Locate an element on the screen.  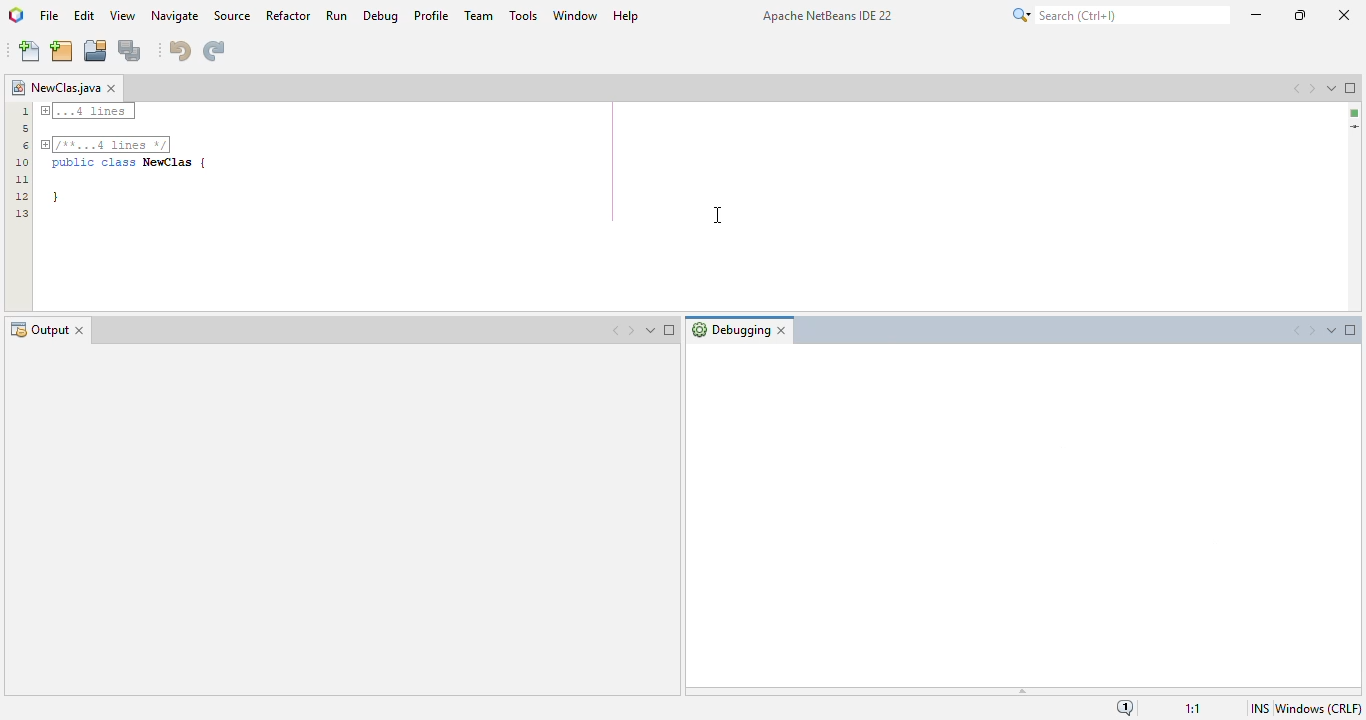
new file is located at coordinates (30, 52).